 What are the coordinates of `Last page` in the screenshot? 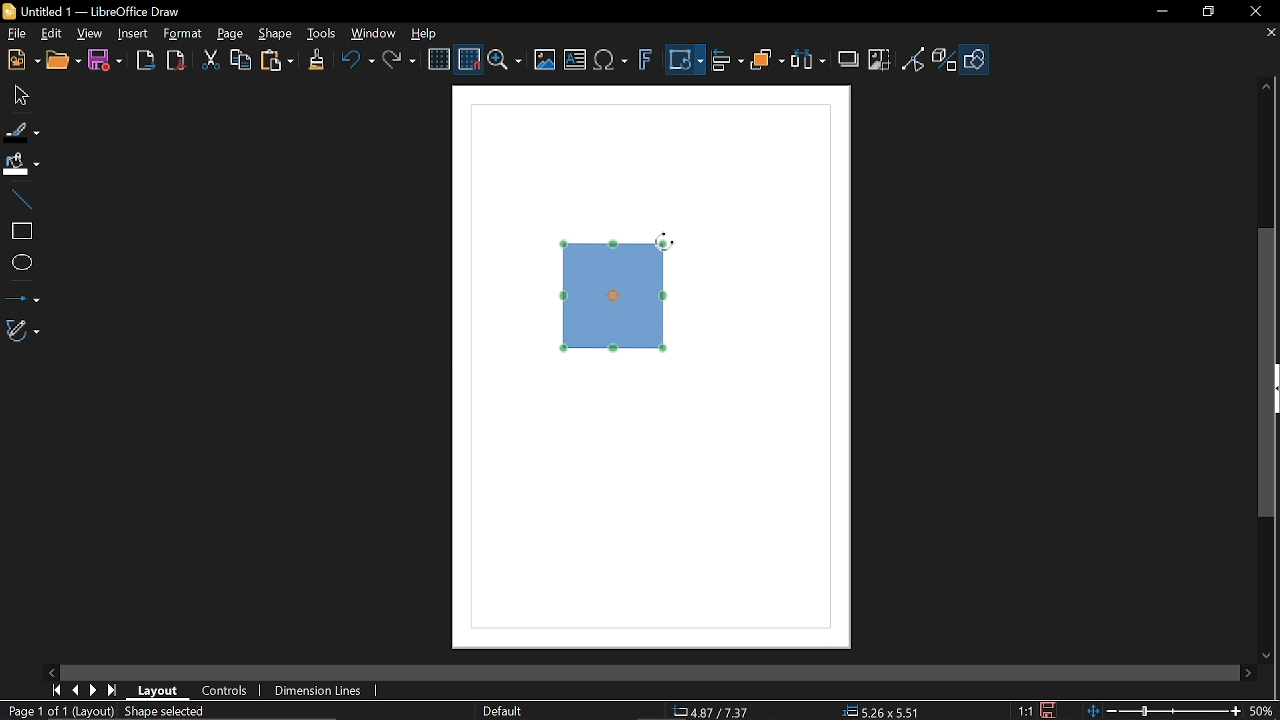 It's located at (112, 691).